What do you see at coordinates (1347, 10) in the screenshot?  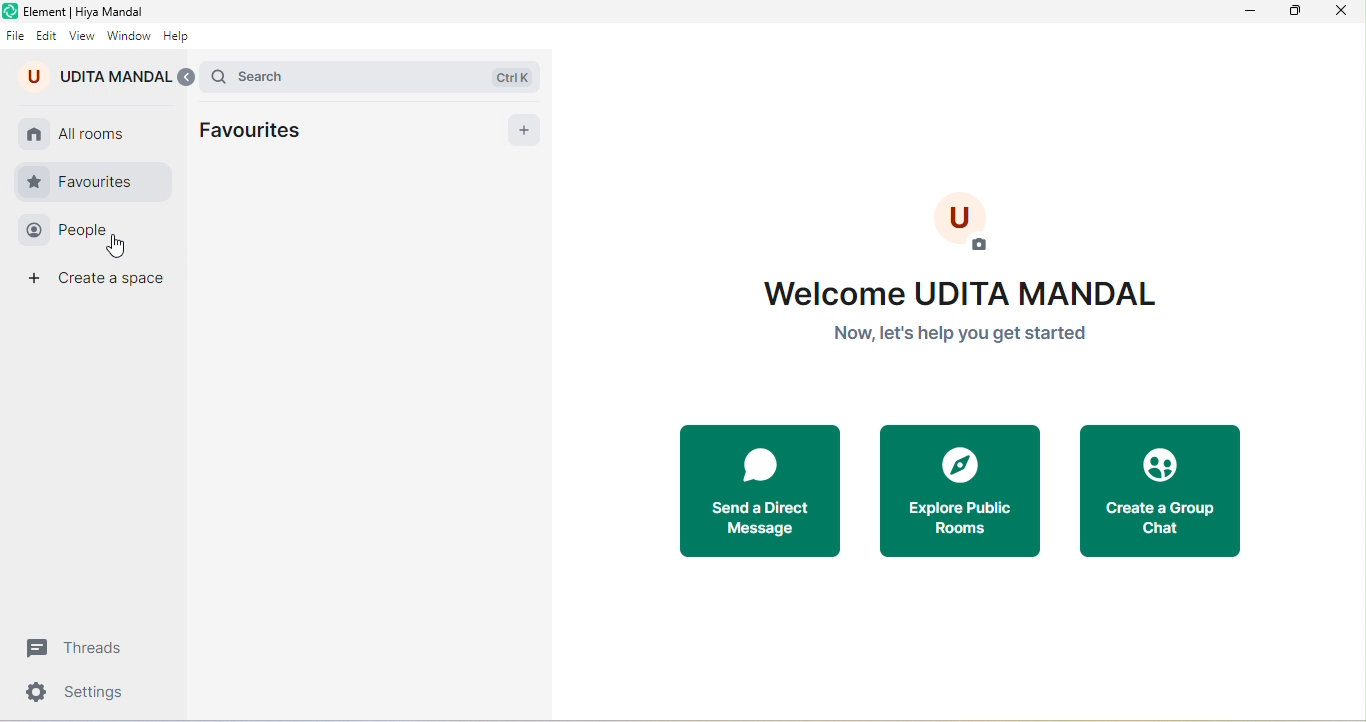 I see `close` at bounding box center [1347, 10].